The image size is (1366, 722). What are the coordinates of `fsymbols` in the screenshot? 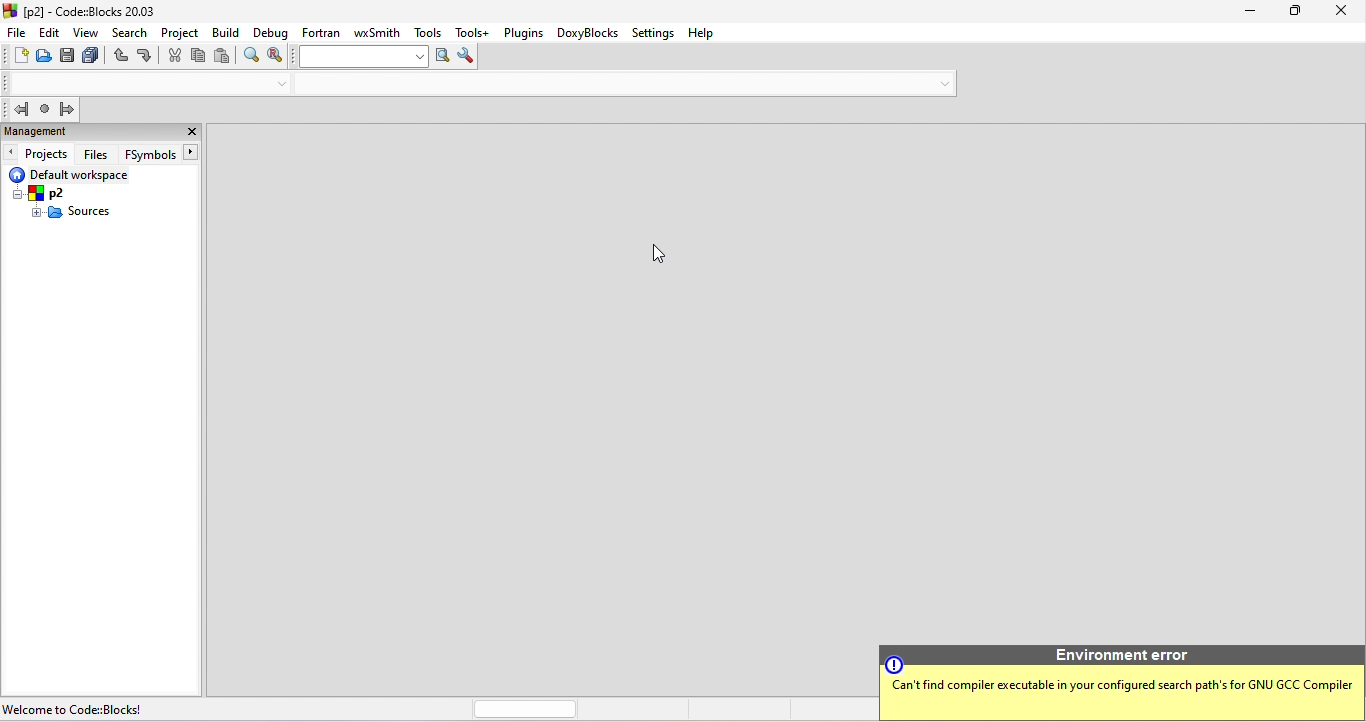 It's located at (163, 153).